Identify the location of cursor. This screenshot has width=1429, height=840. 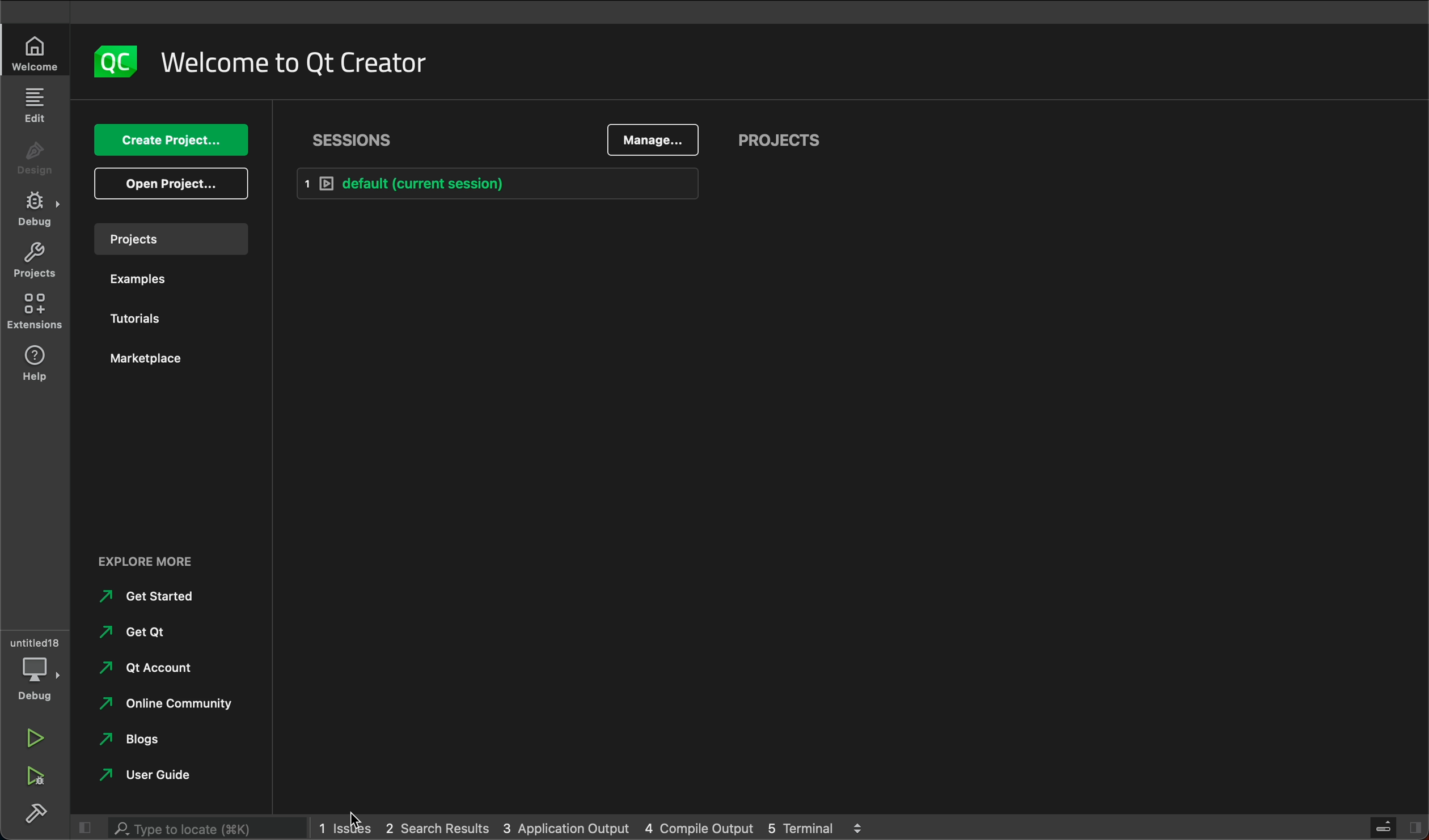
(348, 818).